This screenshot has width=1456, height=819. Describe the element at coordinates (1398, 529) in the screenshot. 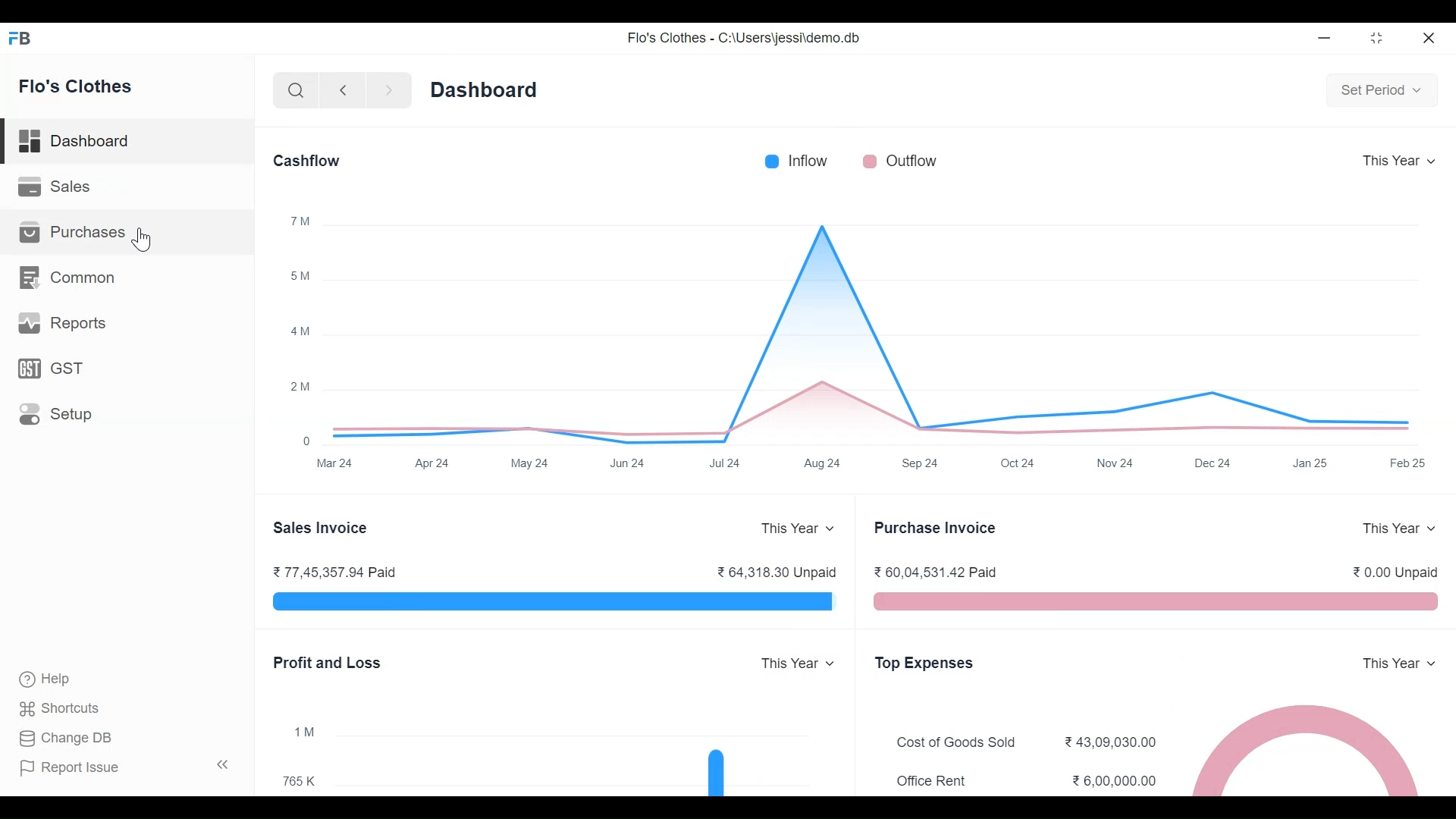

I see `This Year` at that location.